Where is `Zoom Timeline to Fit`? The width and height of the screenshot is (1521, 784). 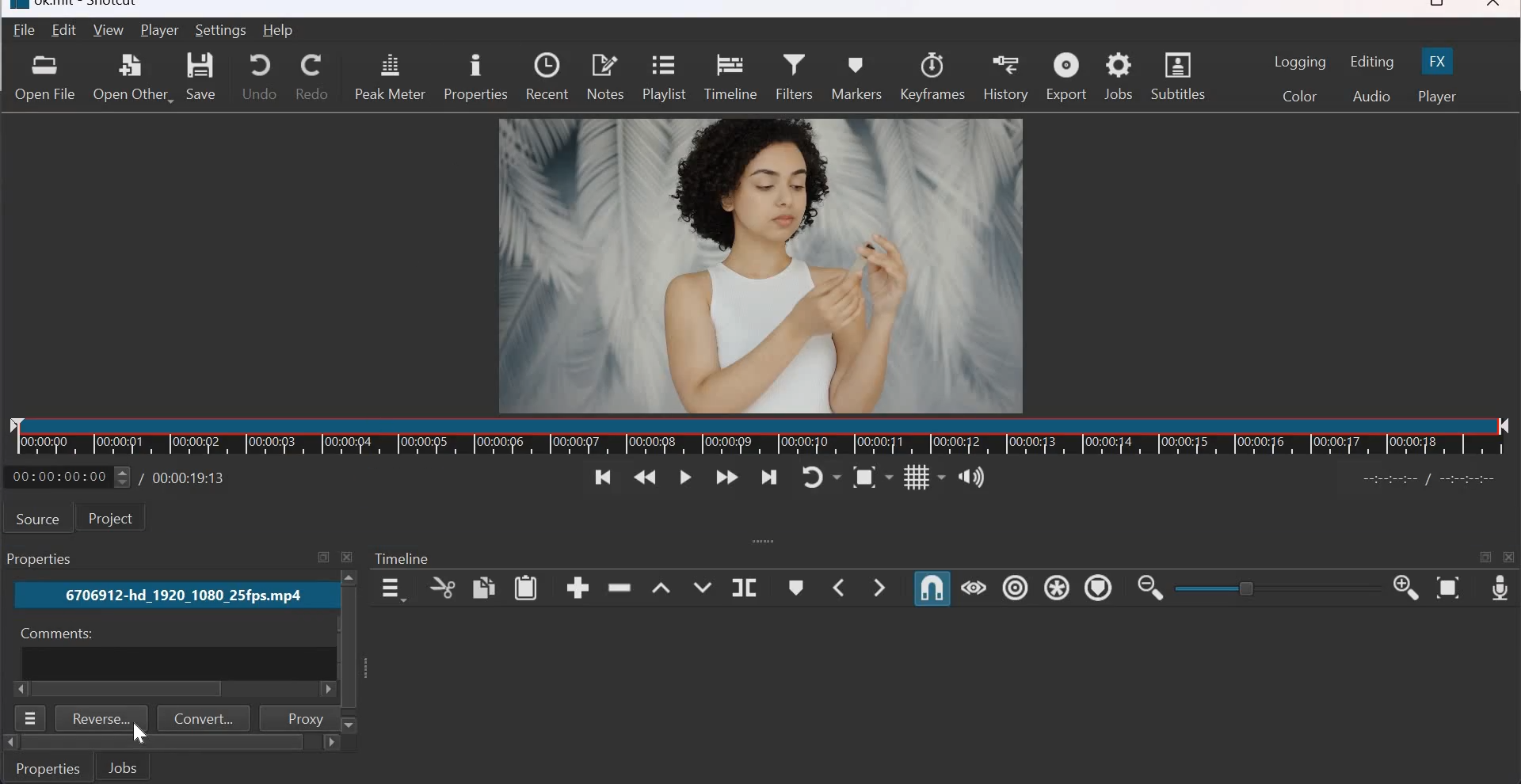
Zoom Timeline to Fit is located at coordinates (1448, 589).